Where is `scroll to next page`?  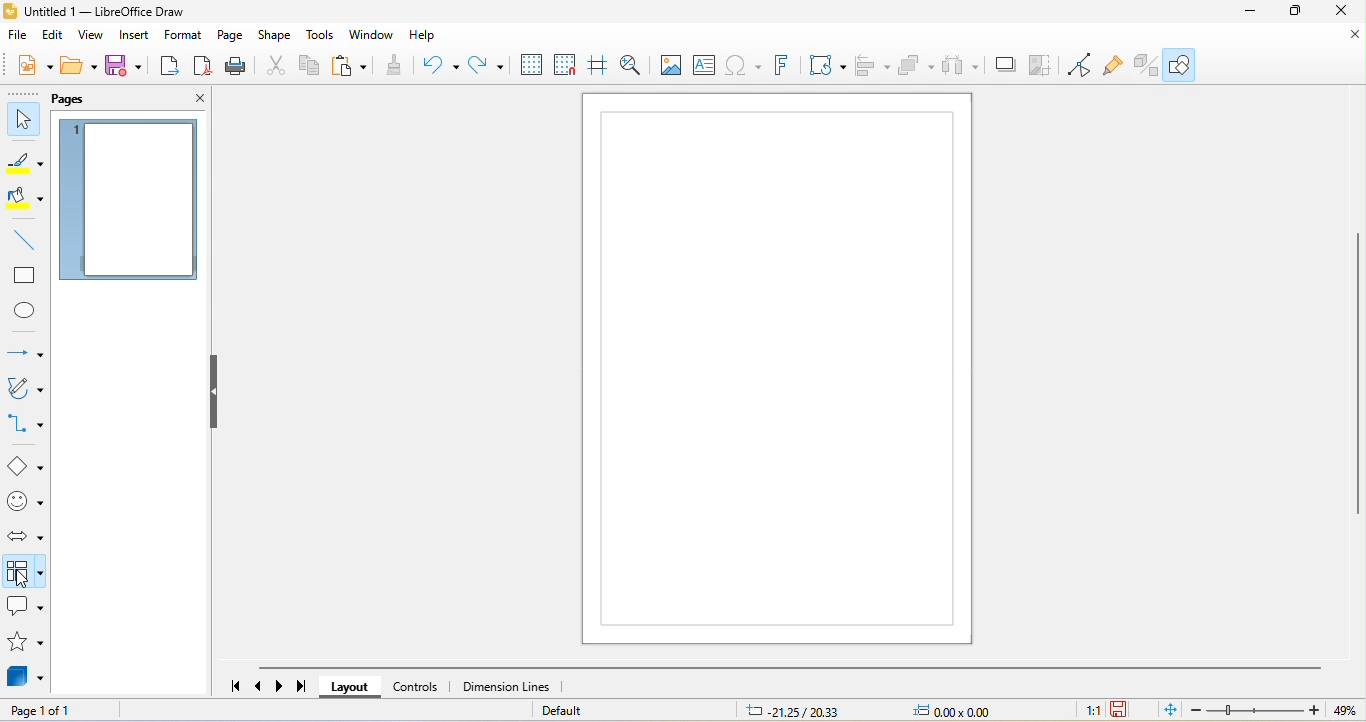
scroll to next page is located at coordinates (284, 685).